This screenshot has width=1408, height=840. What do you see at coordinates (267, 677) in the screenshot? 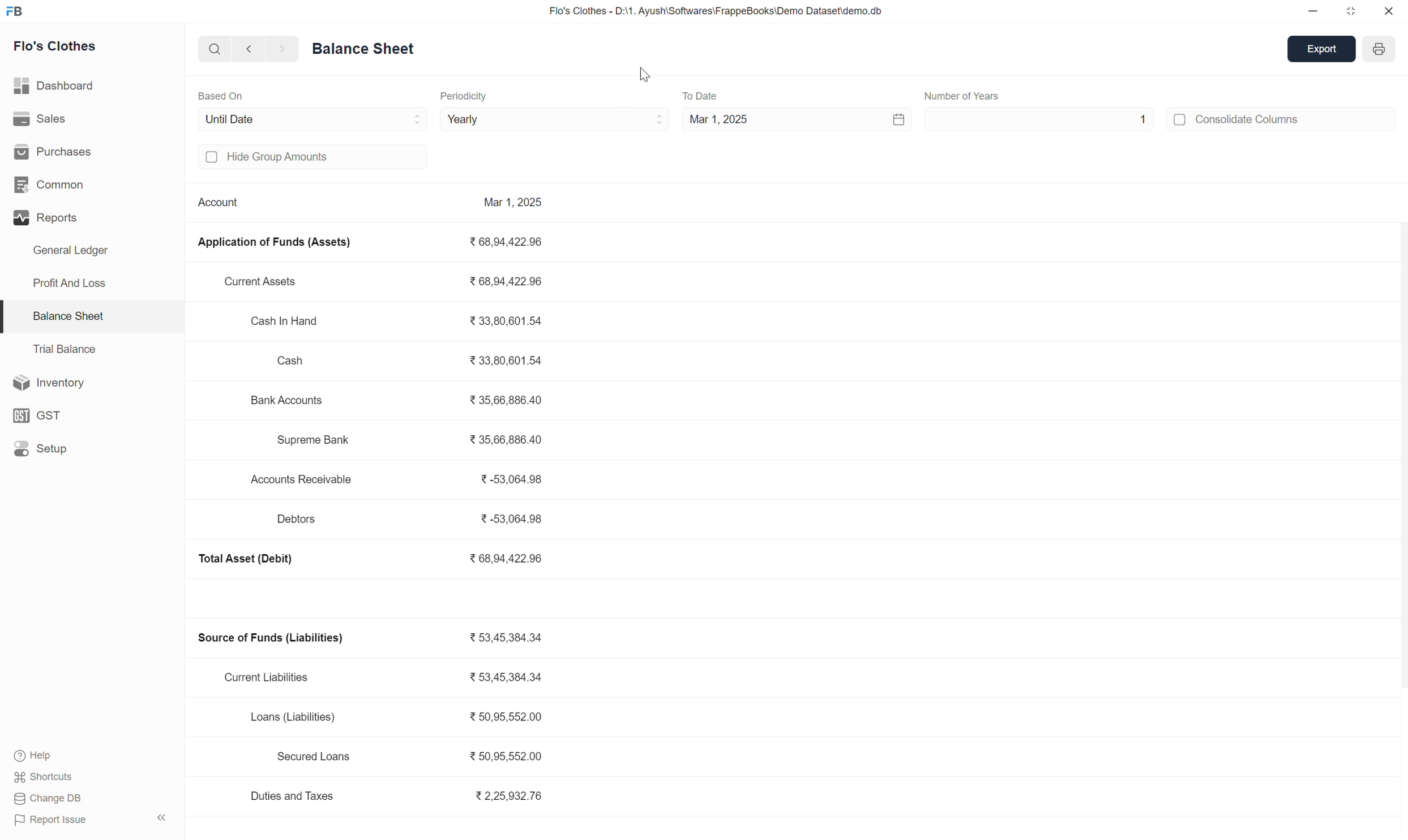
I see `Current Liabilities` at bounding box center [267, 677].